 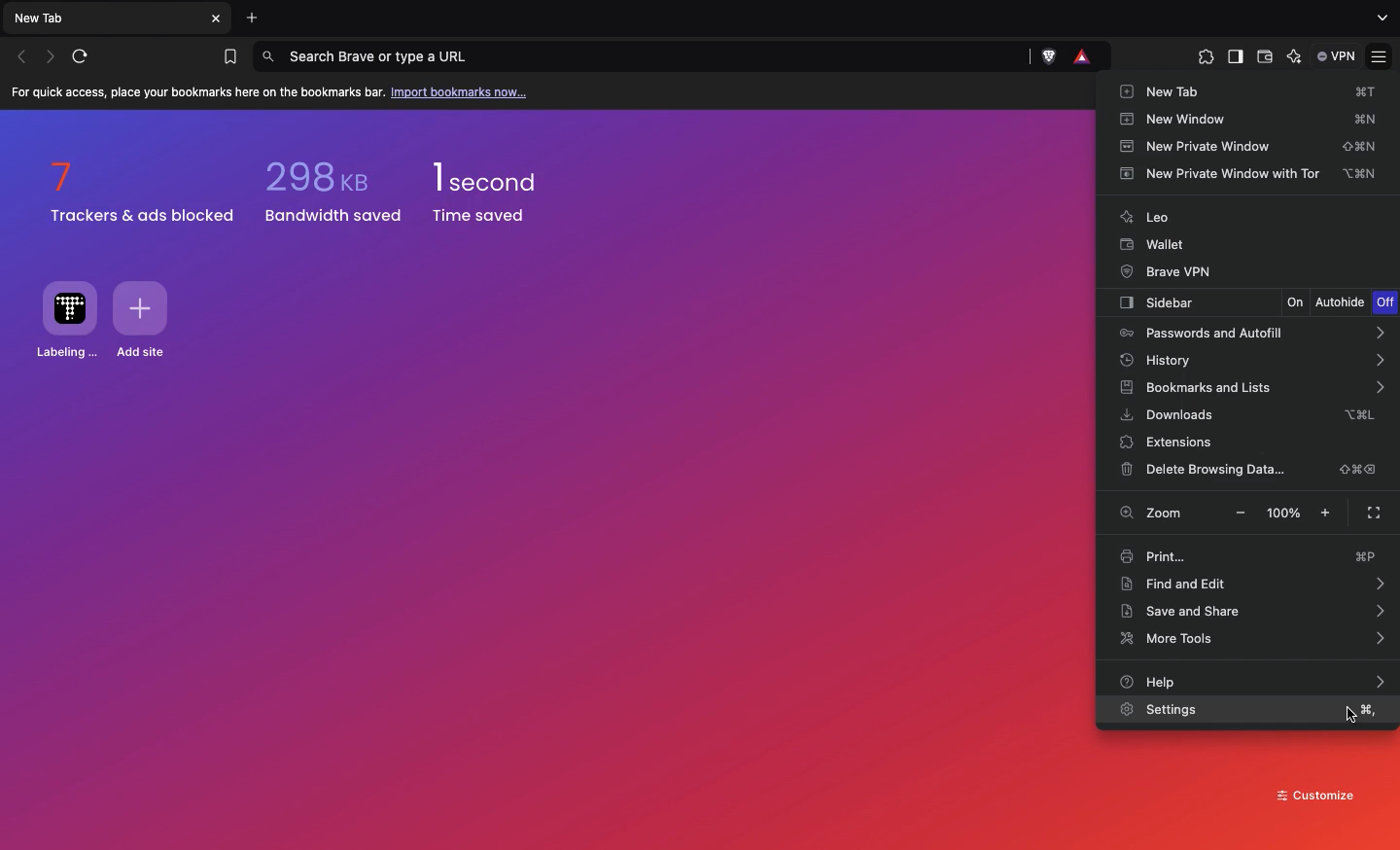 I want to click on Customize and control brave, so click(x=1382, y=57).